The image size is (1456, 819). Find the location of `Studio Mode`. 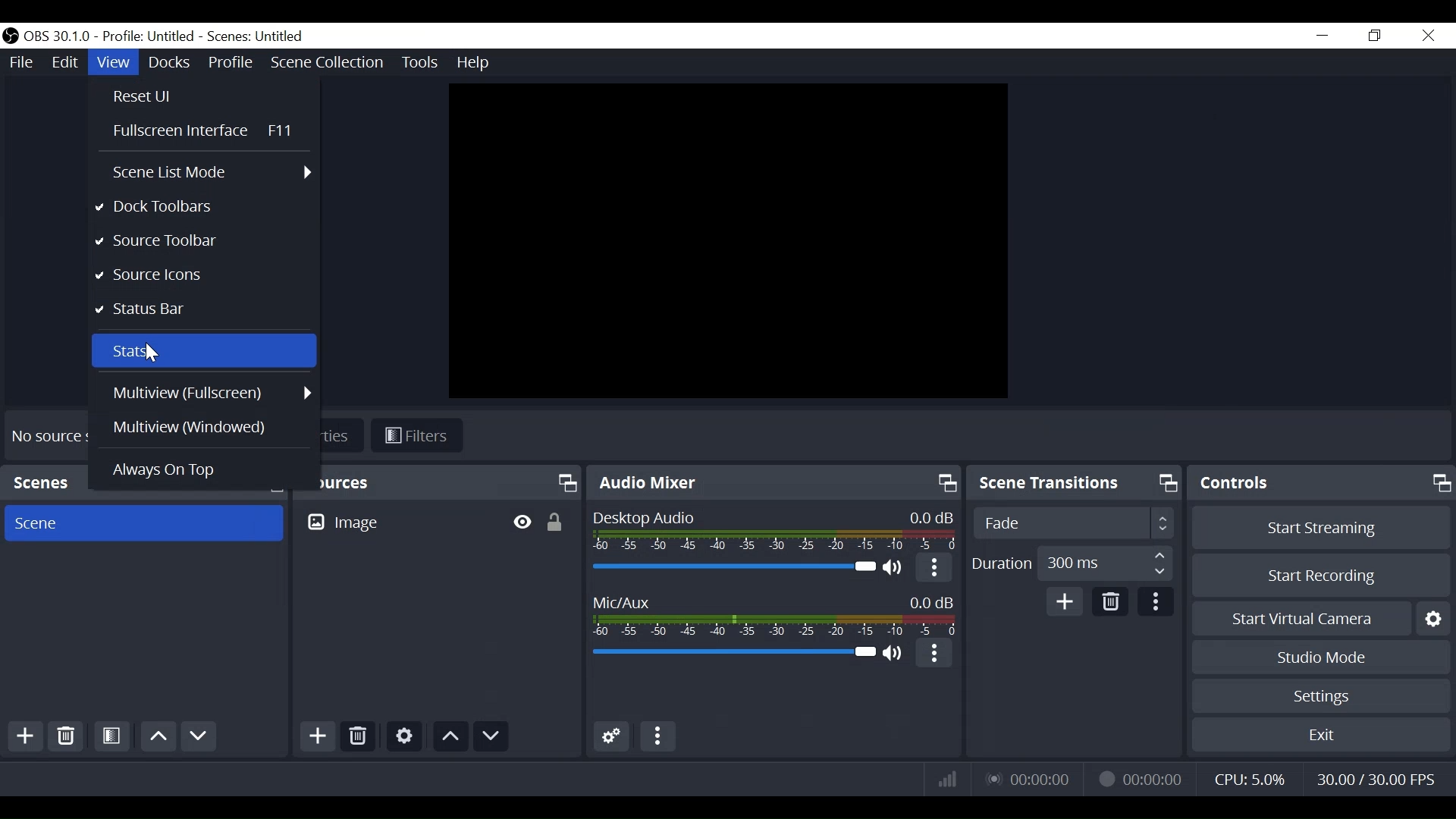

Studio Mode is located at coordinates (1323, 659).